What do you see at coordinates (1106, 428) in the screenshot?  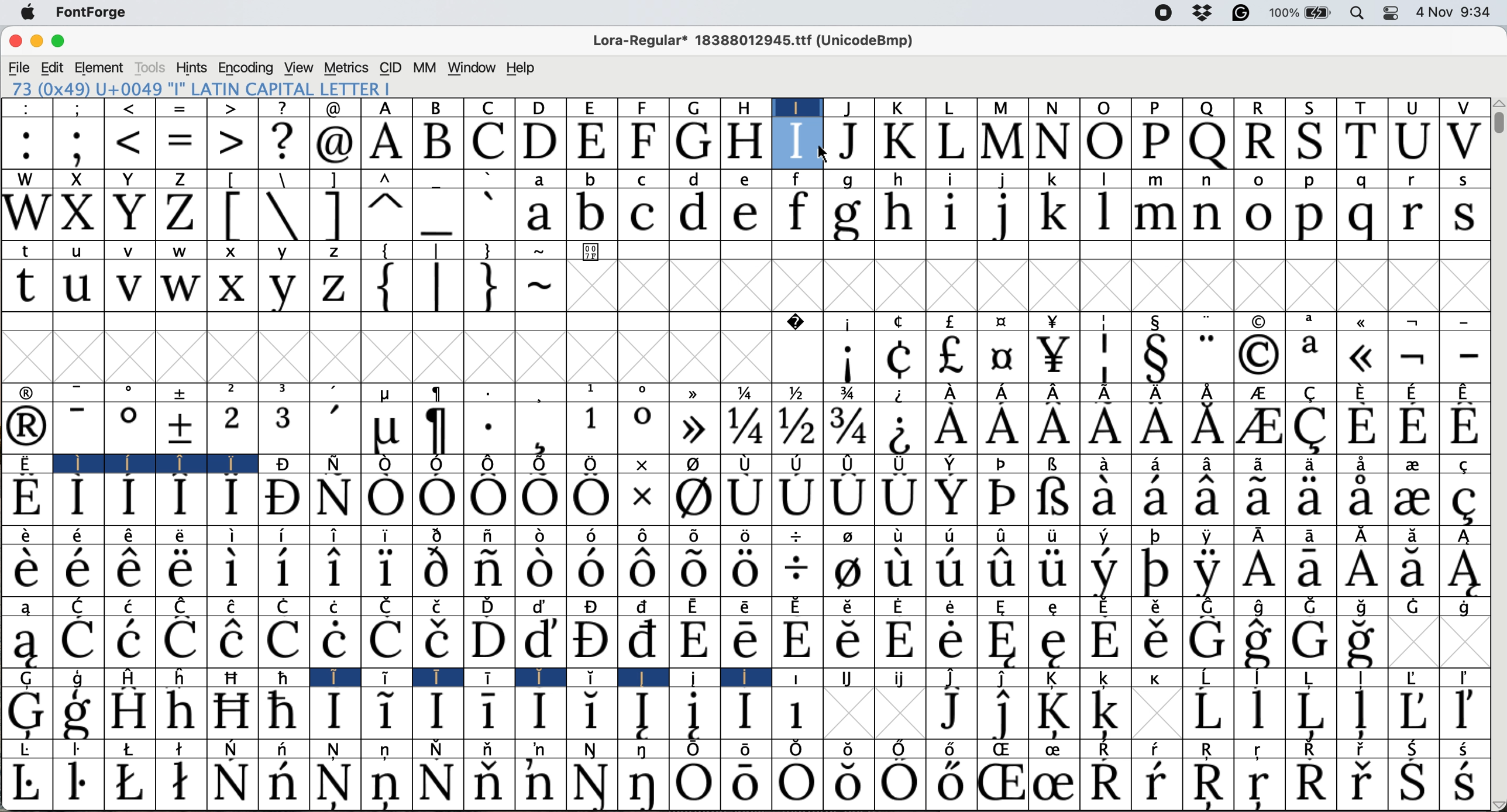 I see `Symbol` at bounding box center [1106, 428].